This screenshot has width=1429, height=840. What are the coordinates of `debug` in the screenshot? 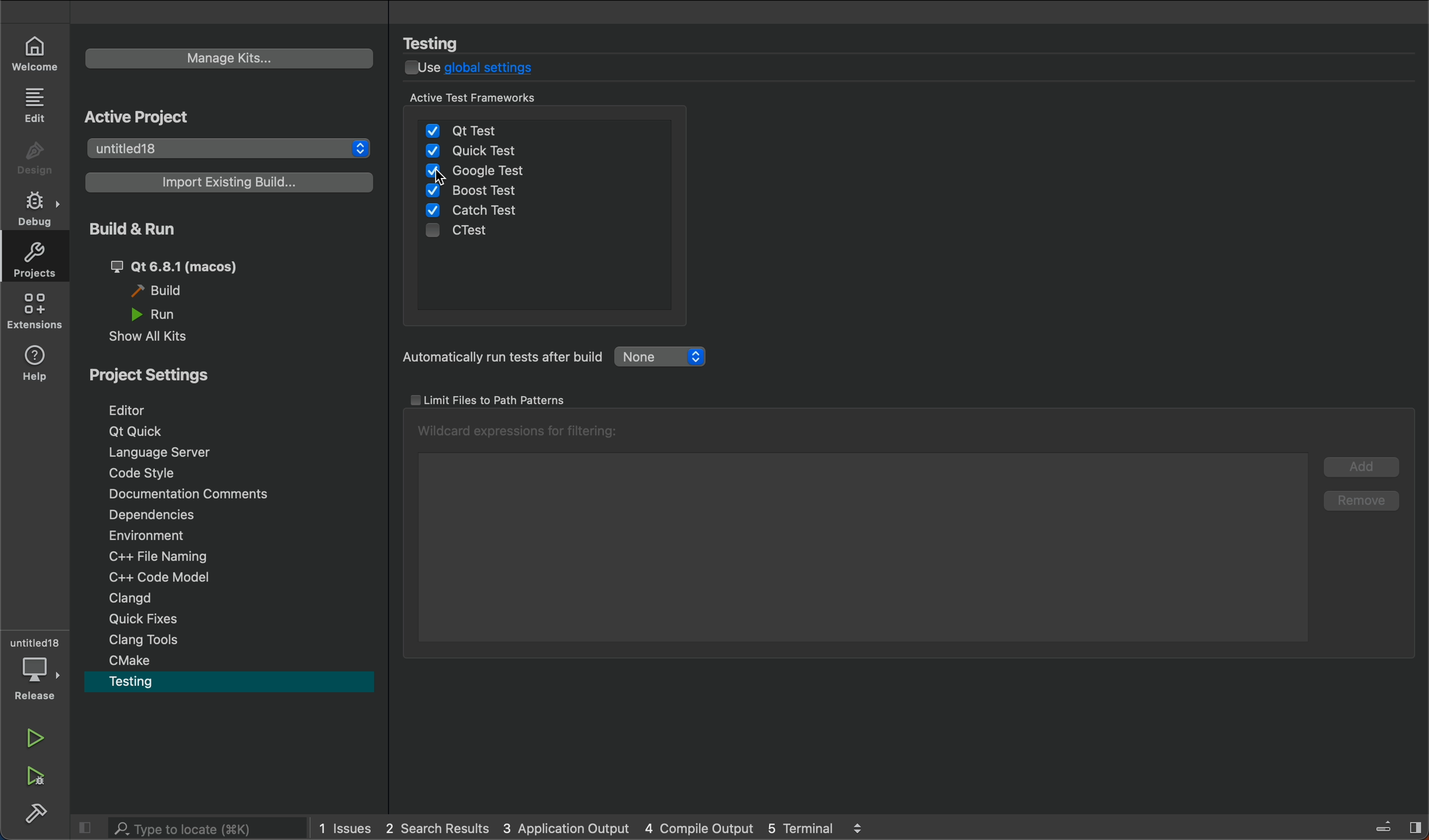 It's located at (33, 209).